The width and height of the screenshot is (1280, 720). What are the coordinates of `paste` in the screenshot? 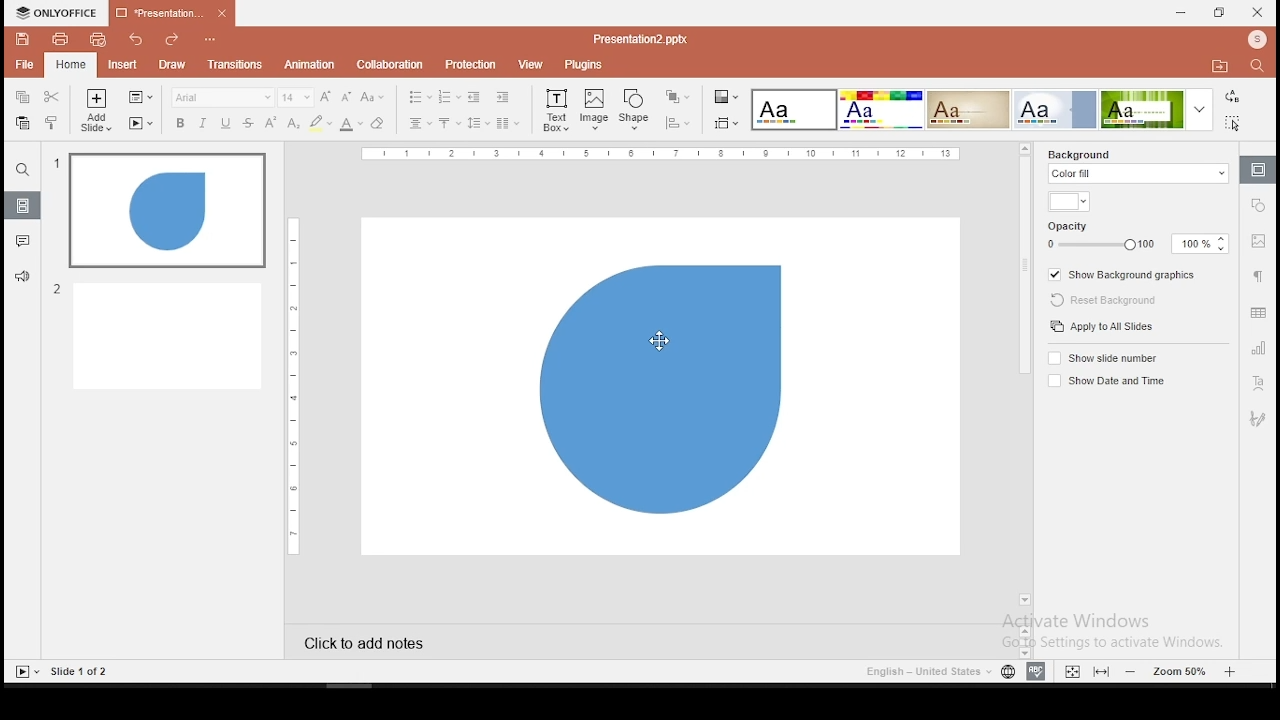 It's located at (24, 122).